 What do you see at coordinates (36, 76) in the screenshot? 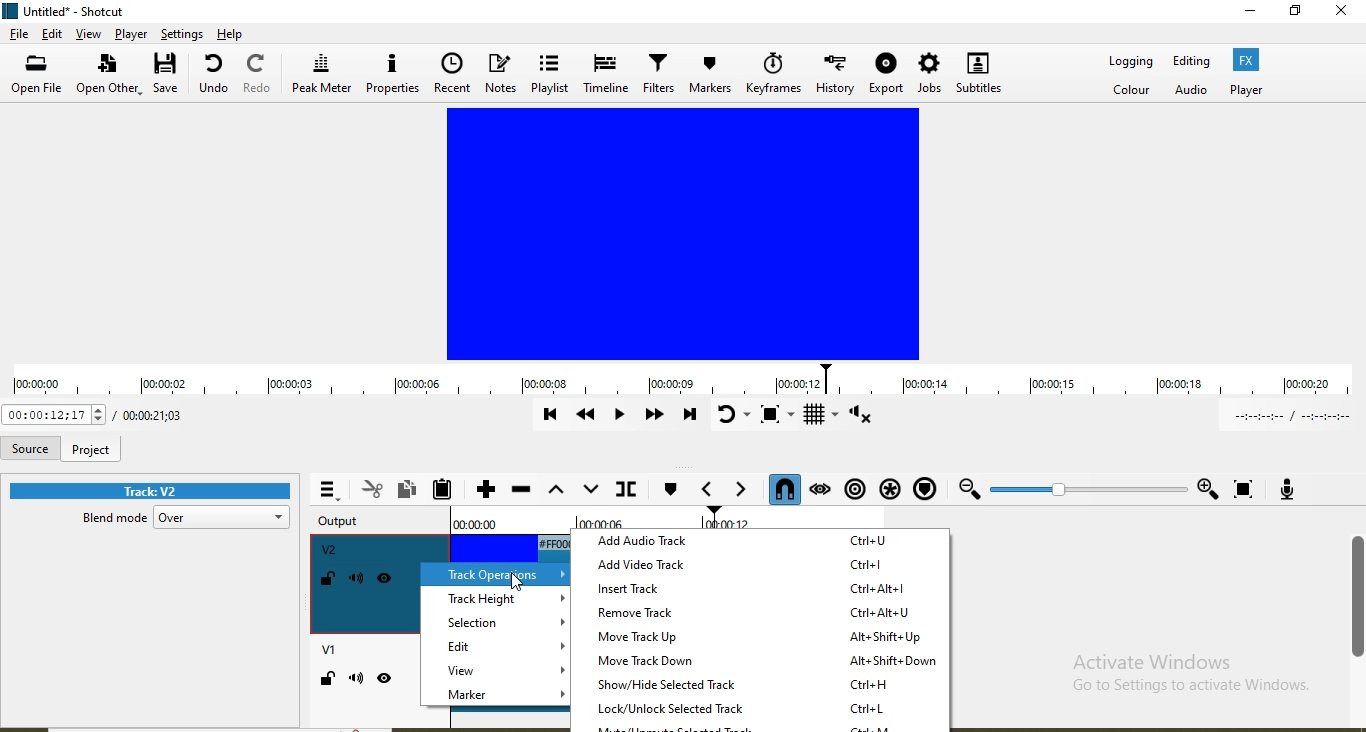
I see `open file` at bounding box center [36, 76].